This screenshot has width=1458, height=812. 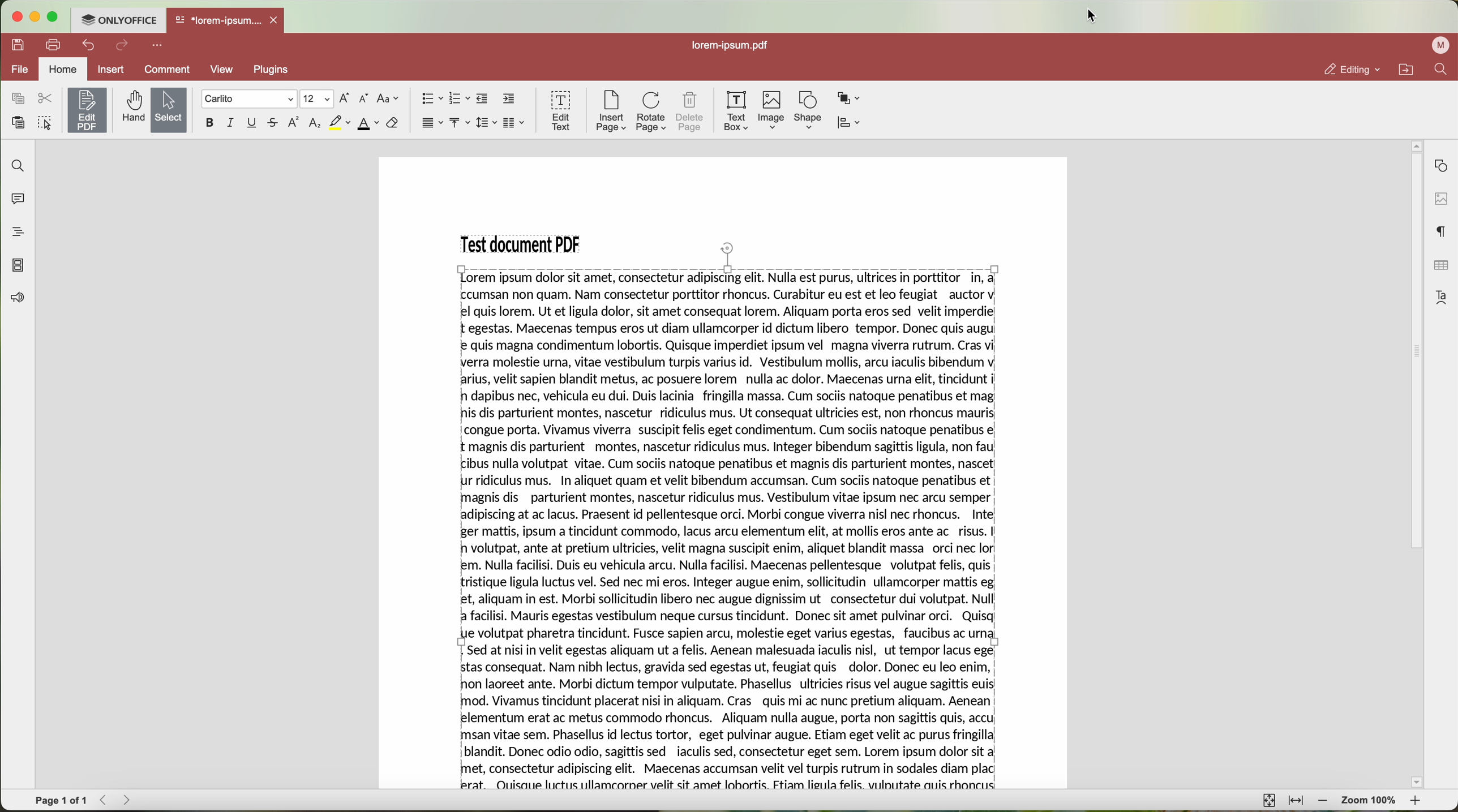 I want to click on subscript, so click(x=316, y=123).